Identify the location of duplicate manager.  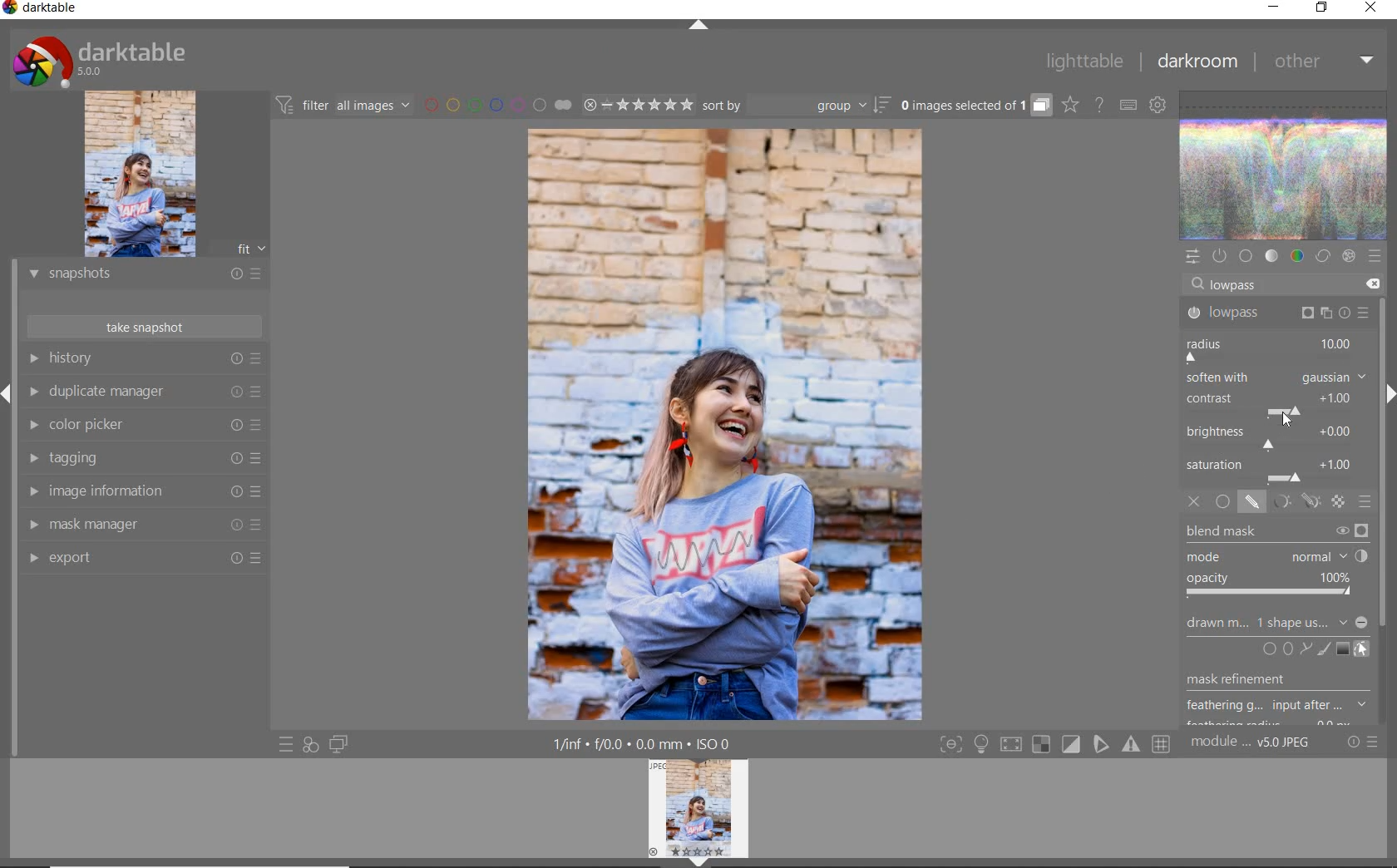
(146, 393).